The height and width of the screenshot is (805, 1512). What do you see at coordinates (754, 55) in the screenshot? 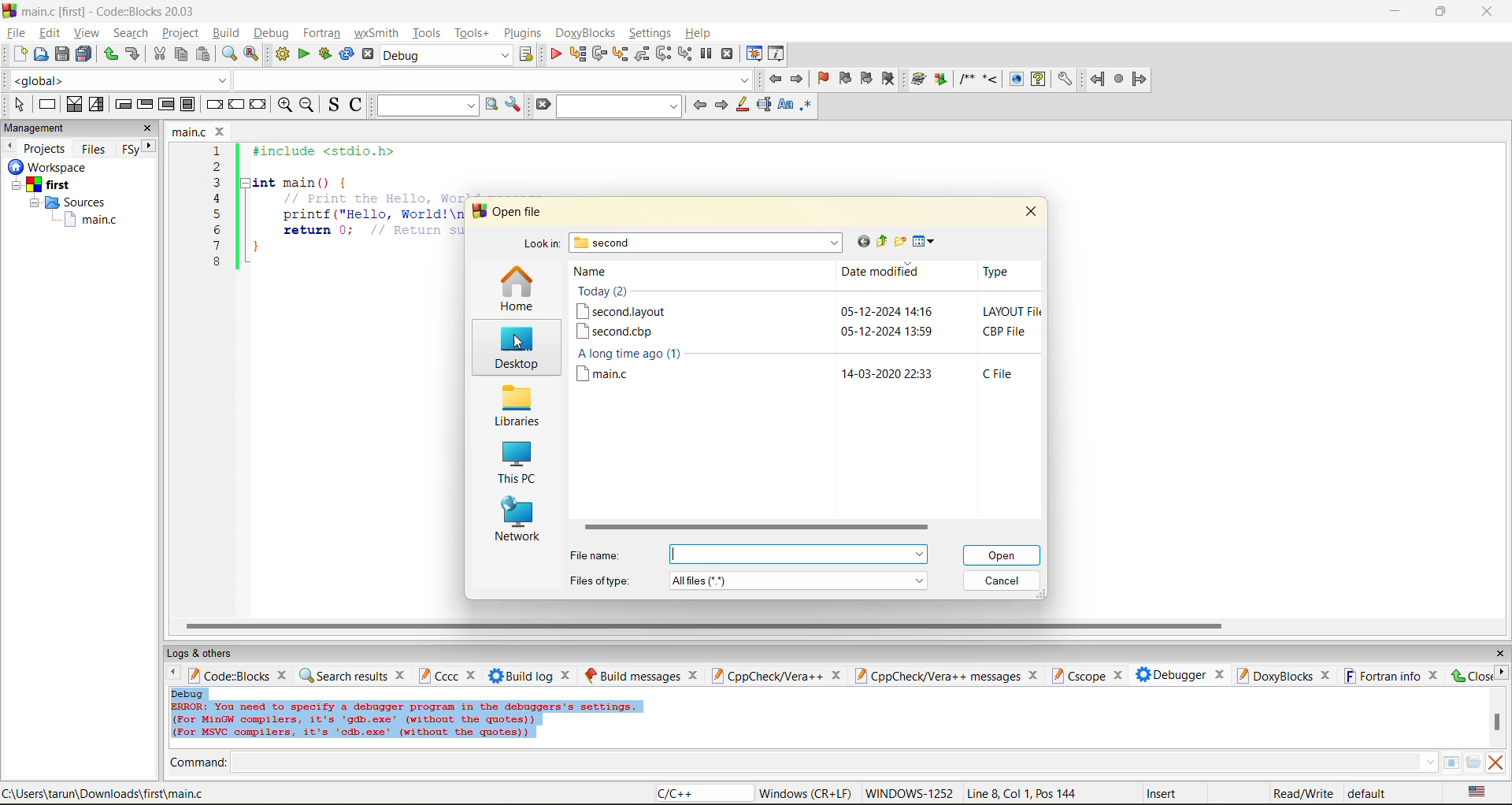
I see `debugging windows` at bounding box center [754, 55].